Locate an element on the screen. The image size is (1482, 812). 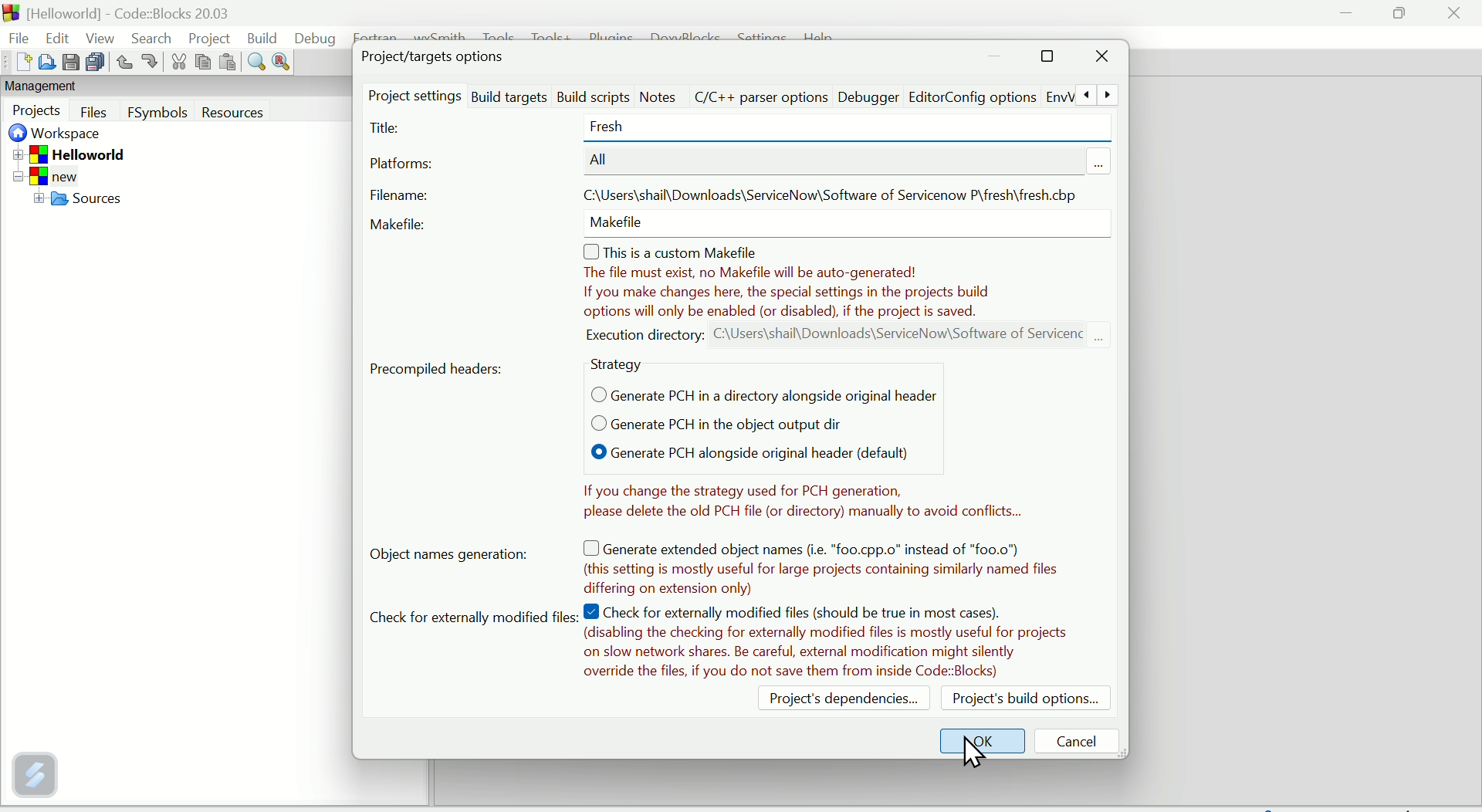
Strategy is located at coordinates (621, 365).